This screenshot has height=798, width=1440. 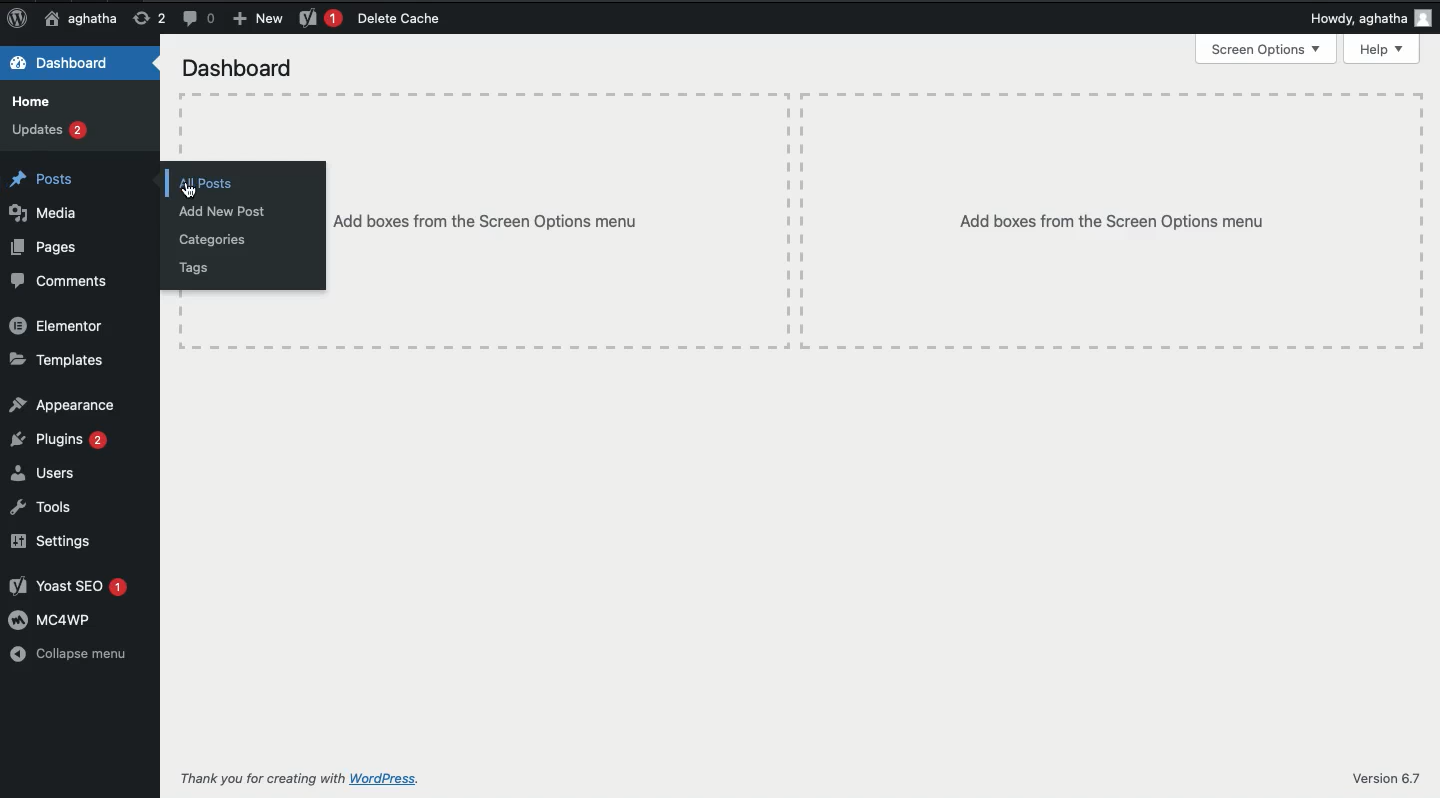 What do you see at coordinates (65, 404) in the screenshot?
I see `Appearance` at bounding box center [65, 404].